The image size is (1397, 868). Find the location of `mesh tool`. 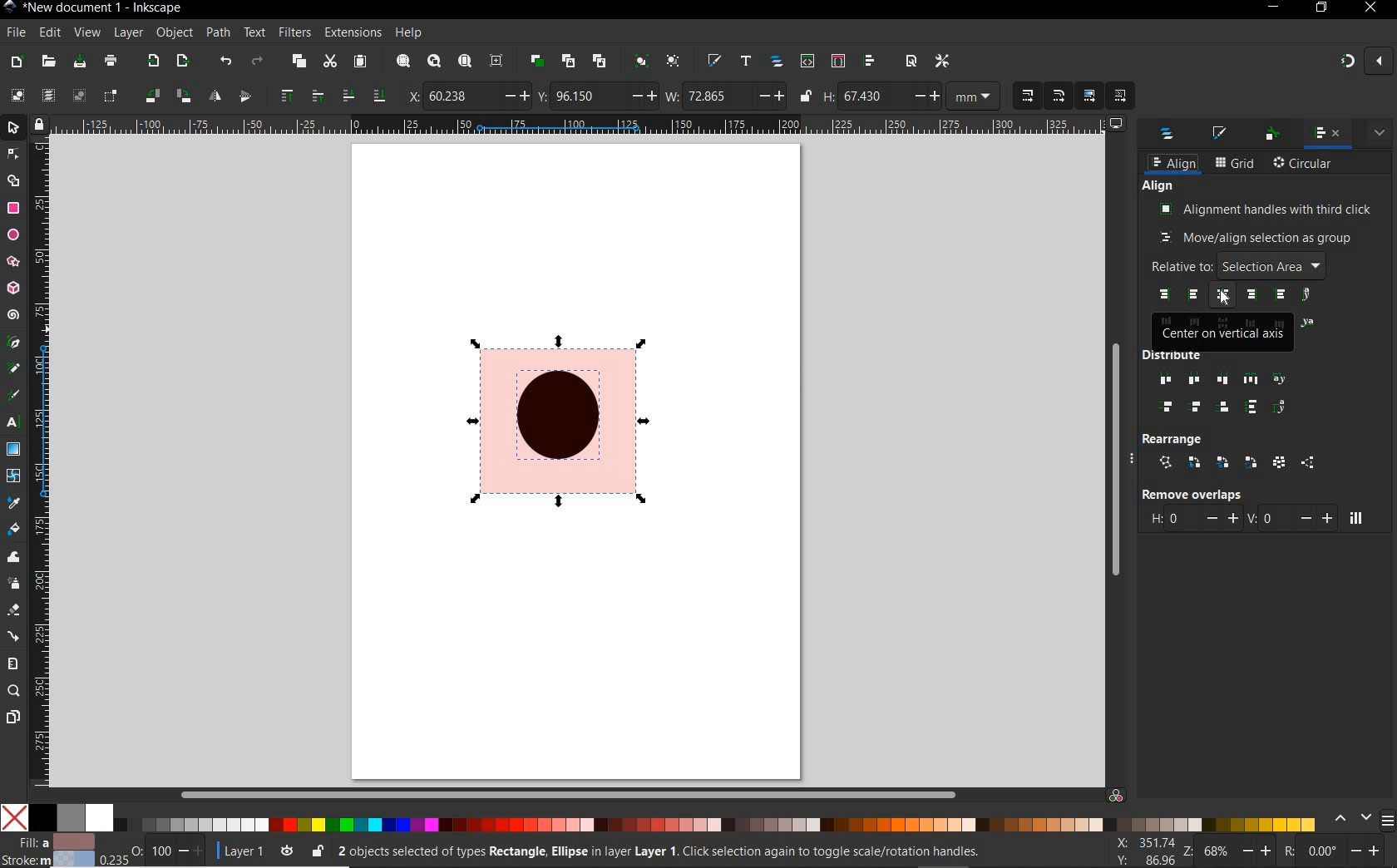

mesh tool is located at coordinates (13, 476).